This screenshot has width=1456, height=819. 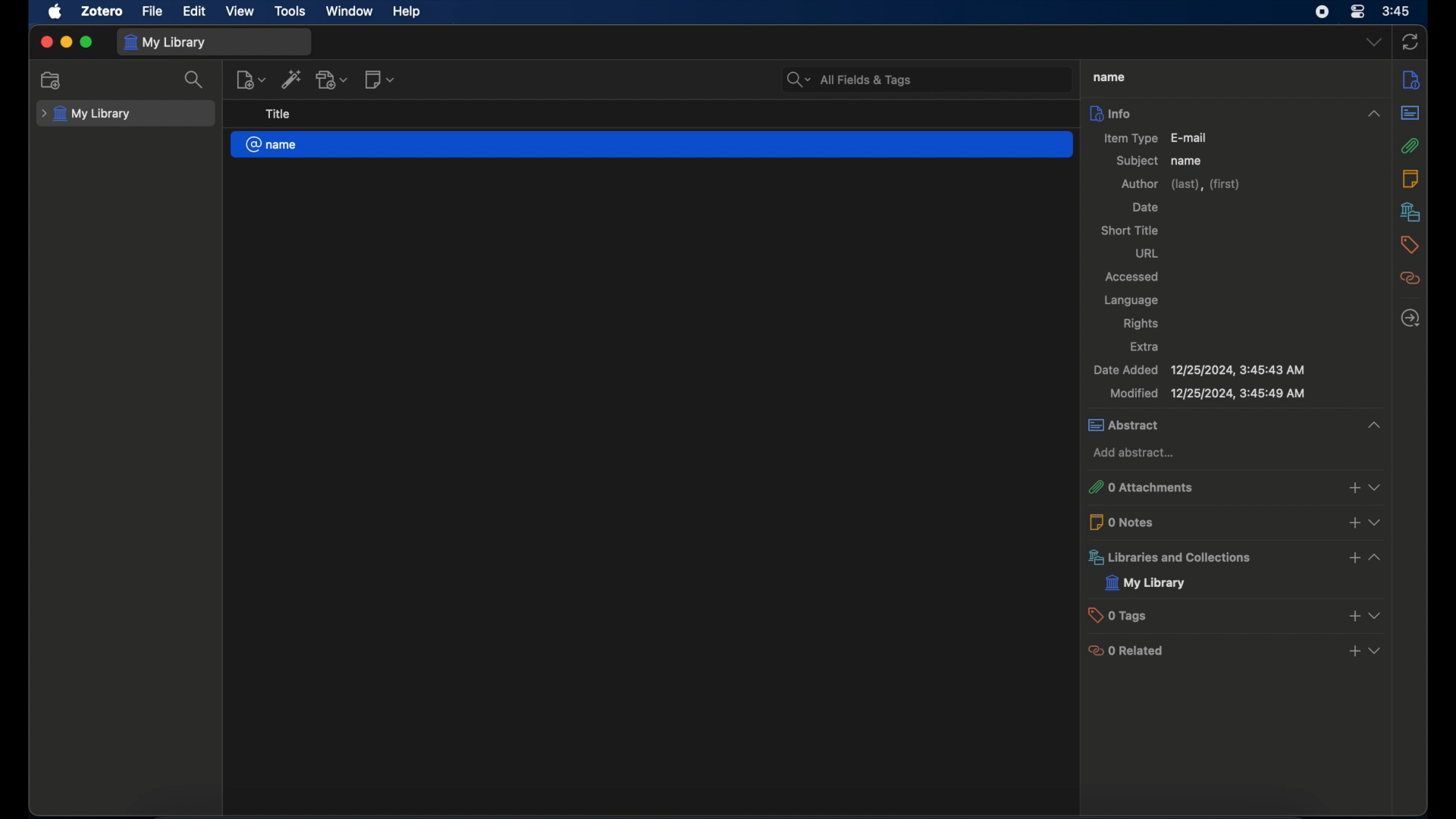 What do you see at coordinates (1237, 650) in the screenshot?
I see `0 related` at bounding box center [1237, 650].